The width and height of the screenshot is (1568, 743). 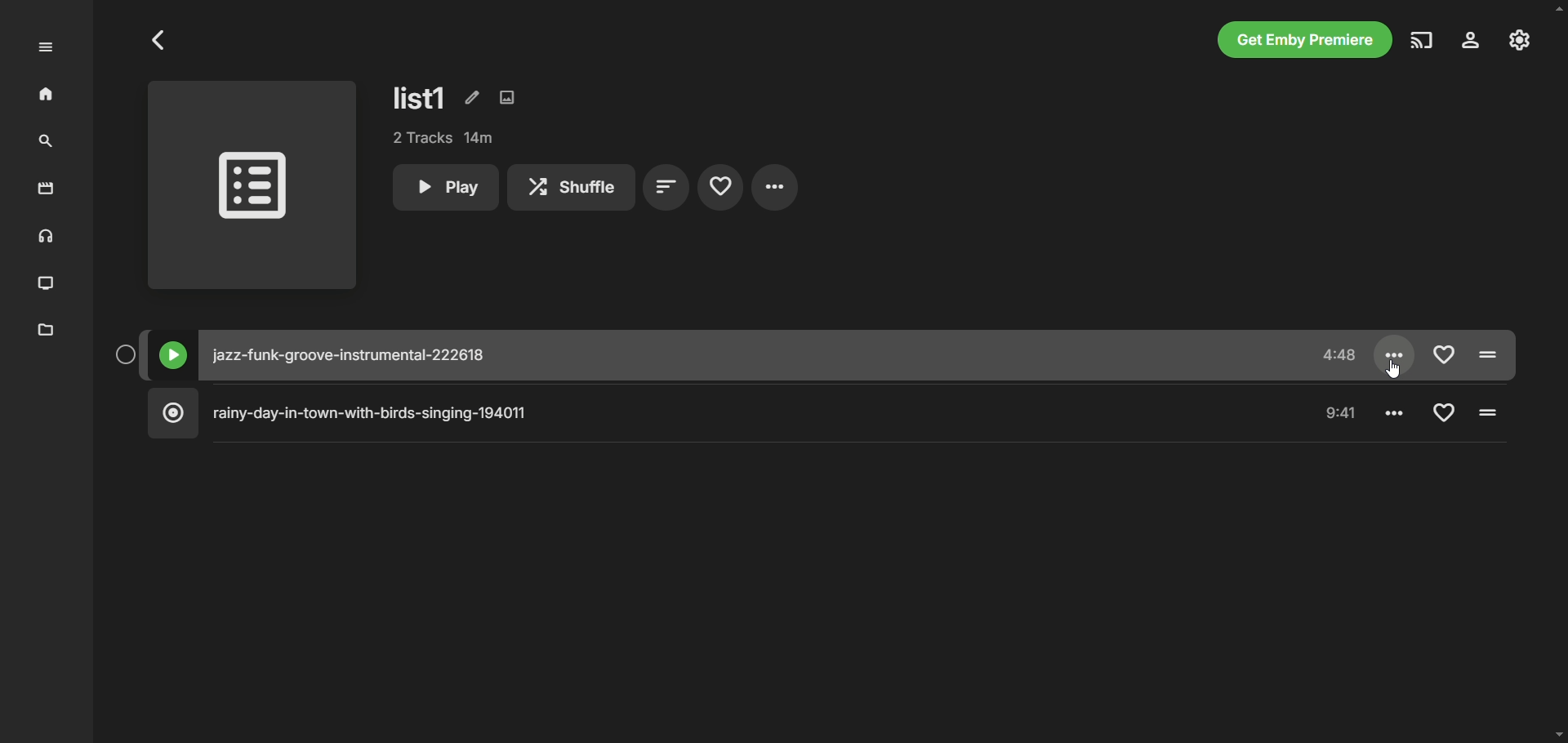 What do you see at coordinates (160, 40) in the screenshot?
I see `Go to previous page` at bounding box center [160, 40].